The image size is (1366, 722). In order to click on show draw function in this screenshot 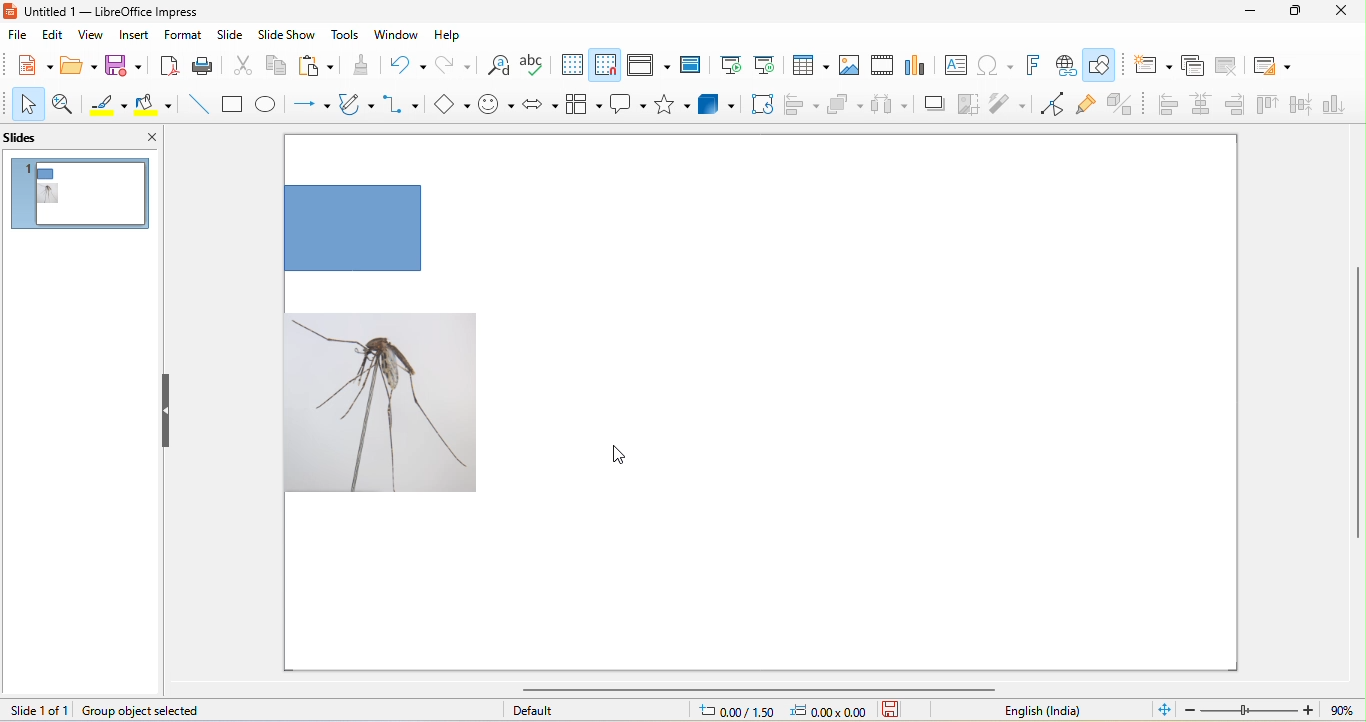, I will do `click(1108, 65)`.